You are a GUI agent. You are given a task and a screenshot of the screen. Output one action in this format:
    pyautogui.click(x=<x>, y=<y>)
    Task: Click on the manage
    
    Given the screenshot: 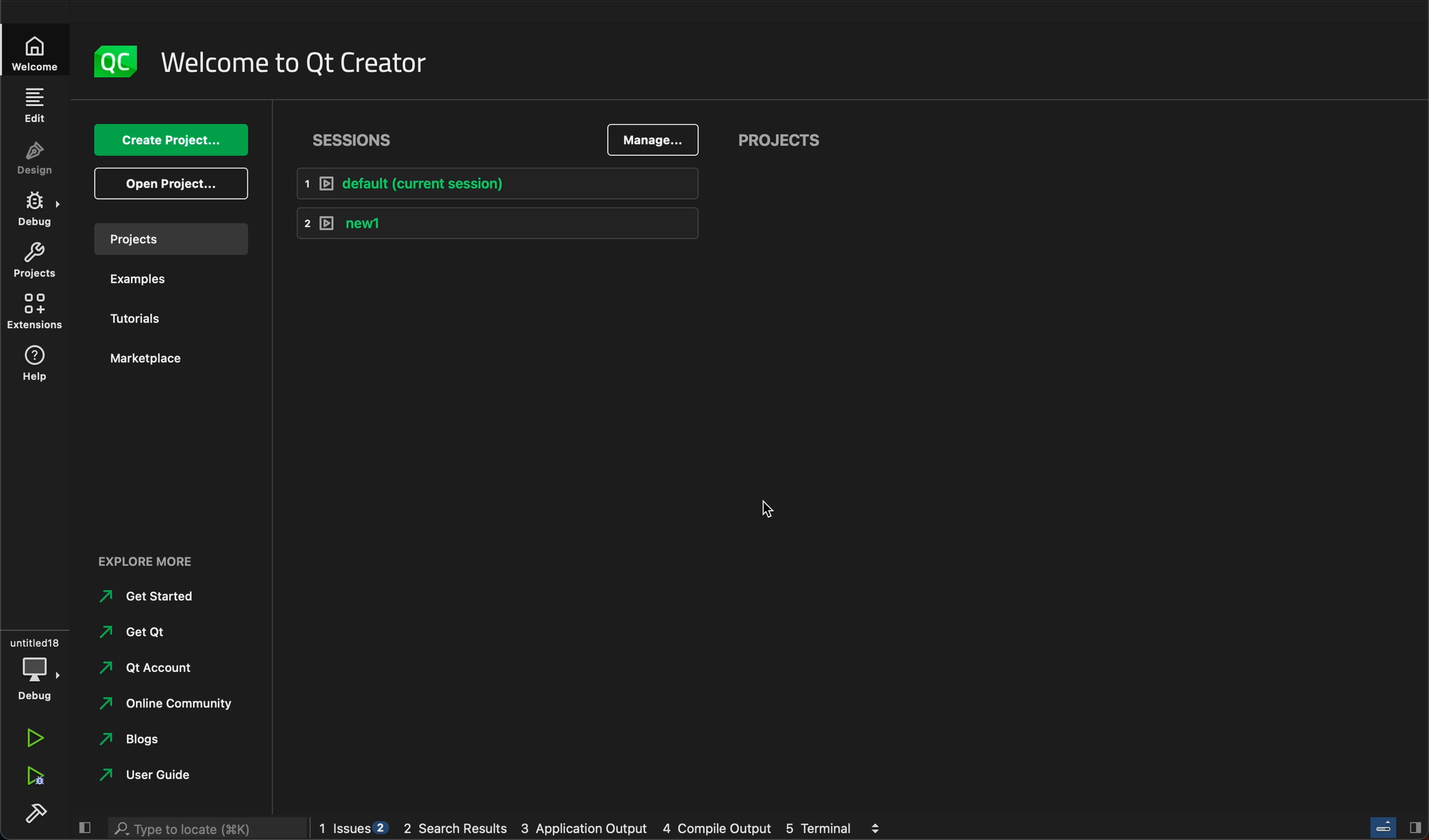 What is the action you would take?
    pyautogui.click(x=653, y=142)
    